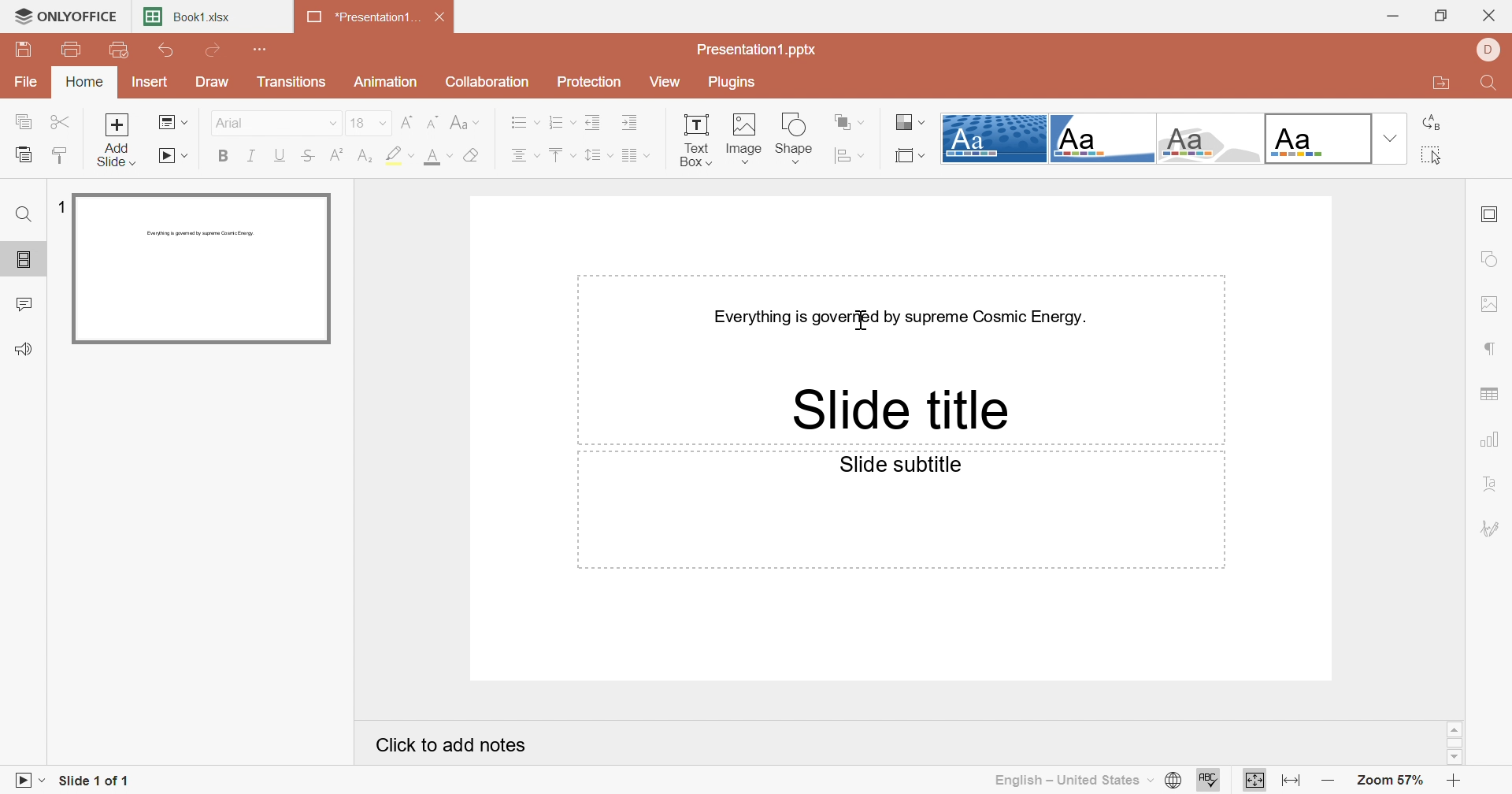  What do you see at coordinates (850, 154) in the screenshot?
I see `Align shape` at bounding box center [850, 154].